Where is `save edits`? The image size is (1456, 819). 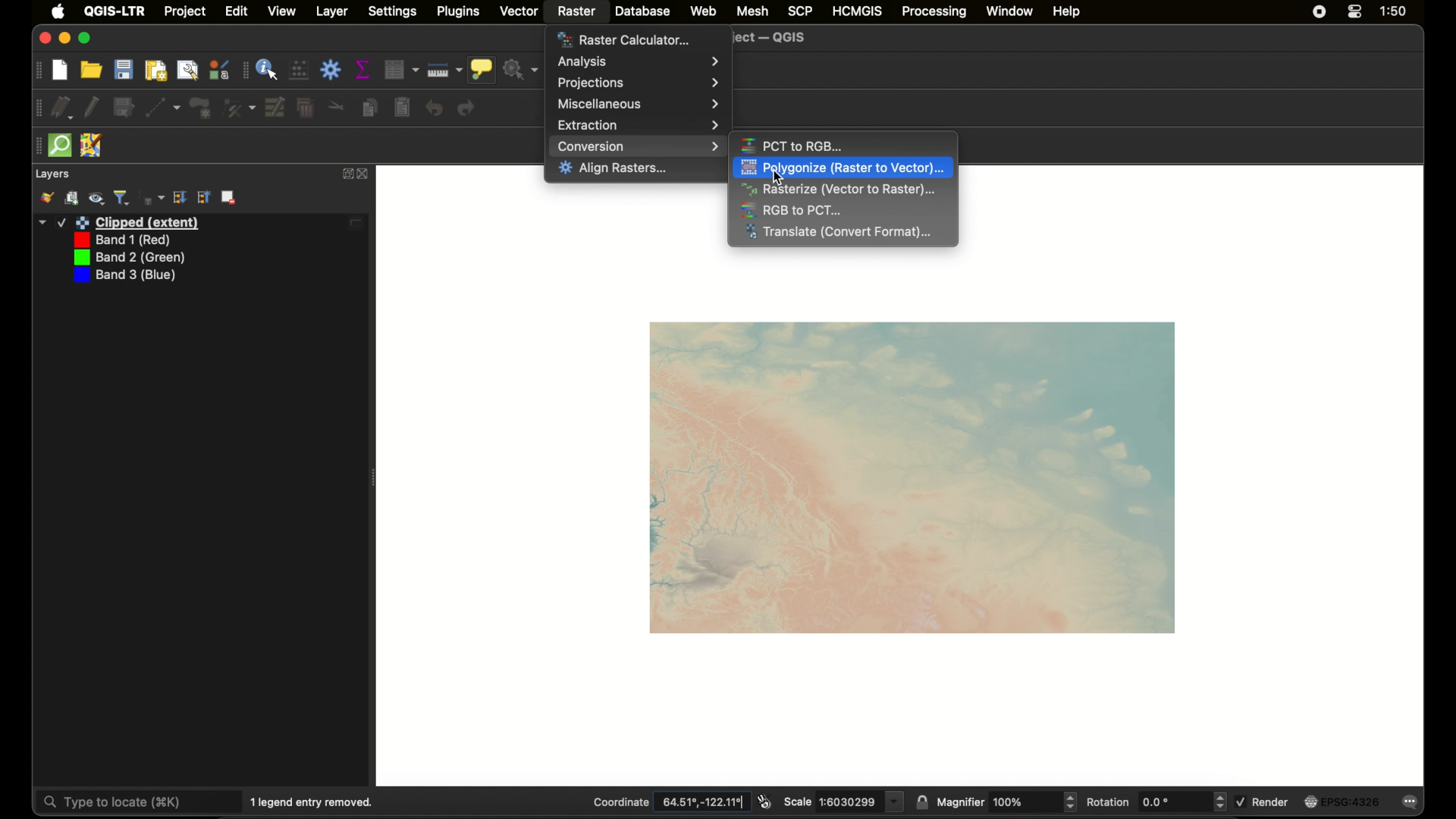 save edits is located at coordinates (124, 108).